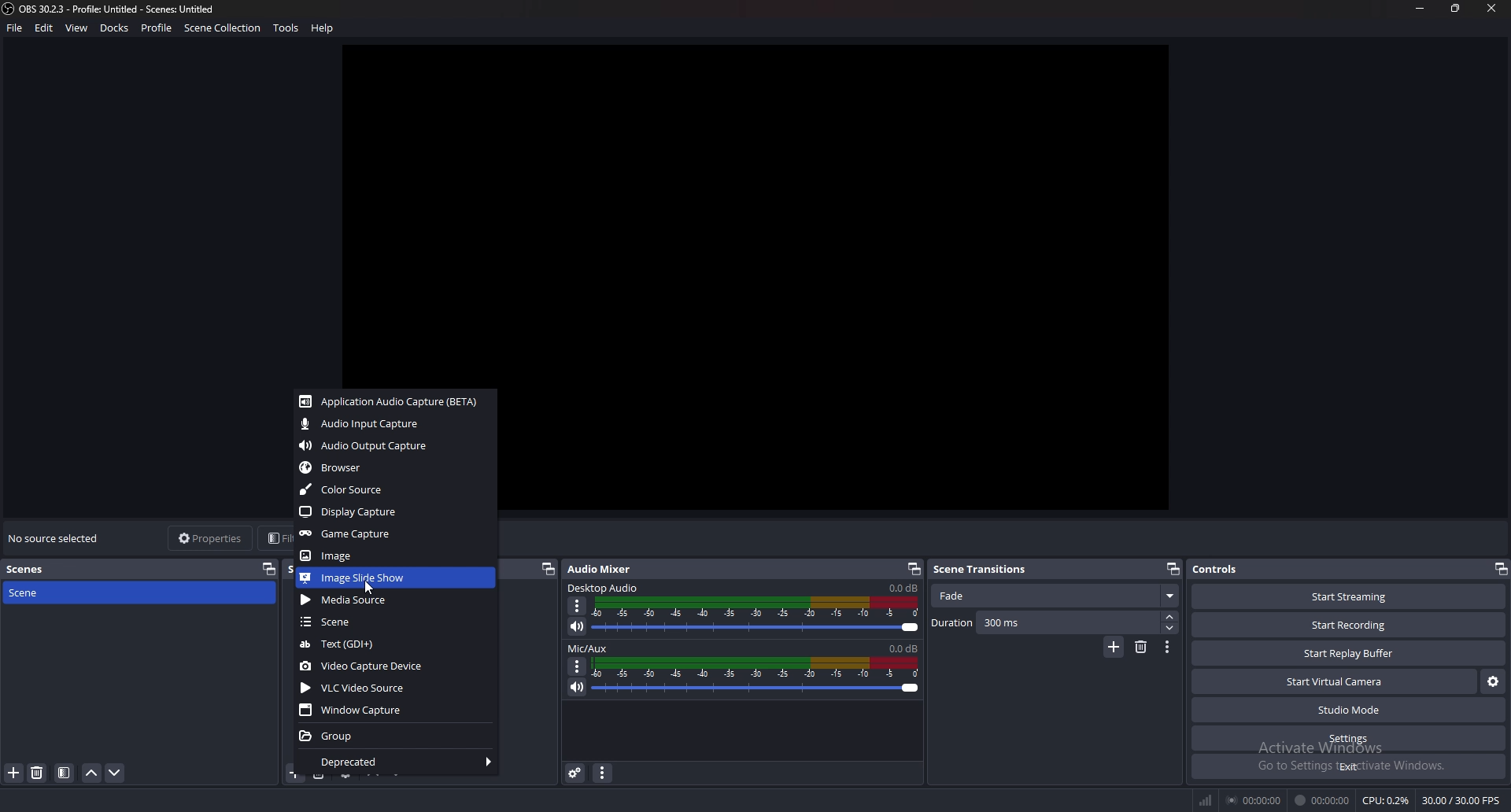  I want to click on tools, so click(287, 28).